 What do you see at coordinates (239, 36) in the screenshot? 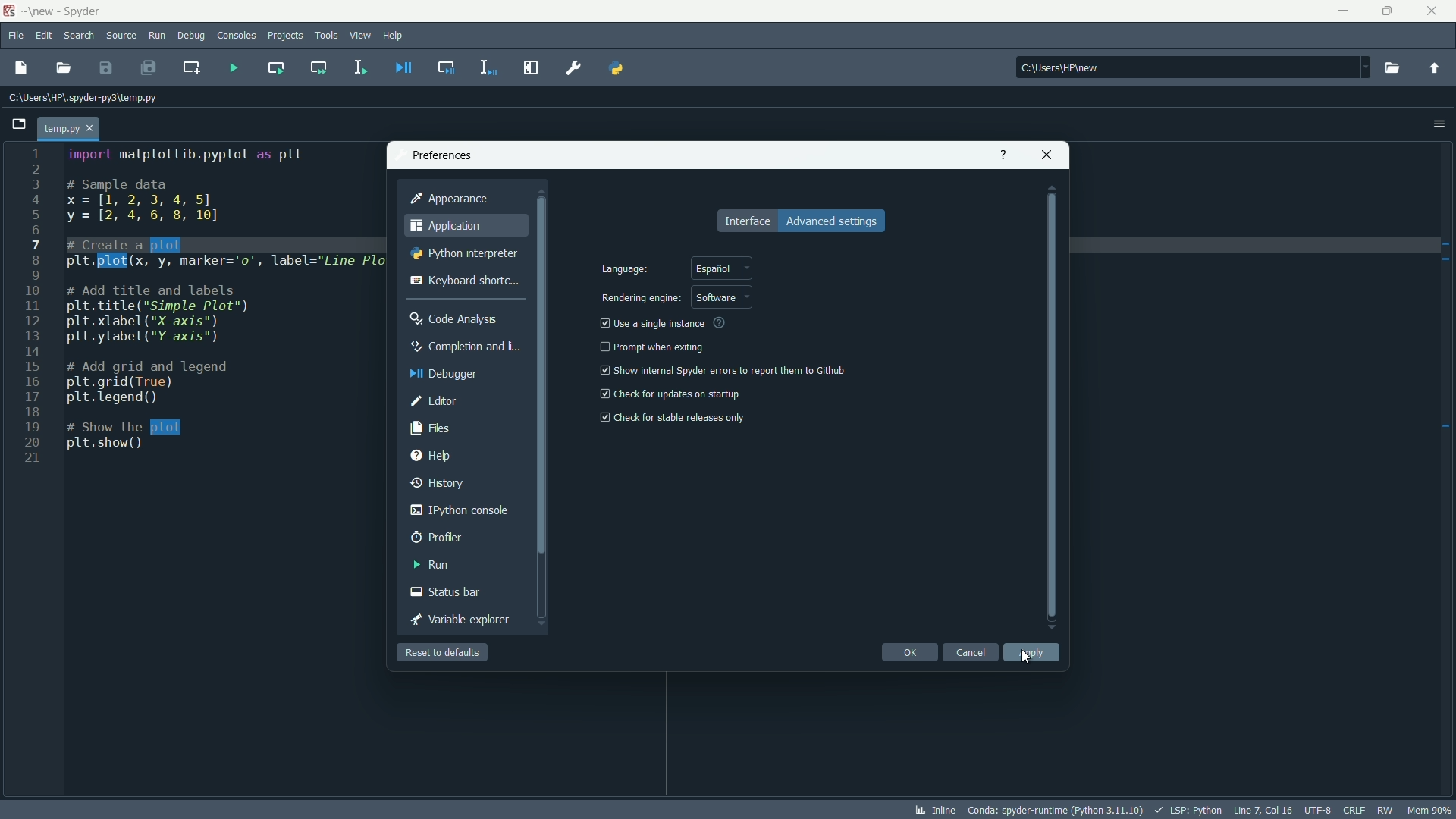
I see `consoles` at bounding box center [239, 36].